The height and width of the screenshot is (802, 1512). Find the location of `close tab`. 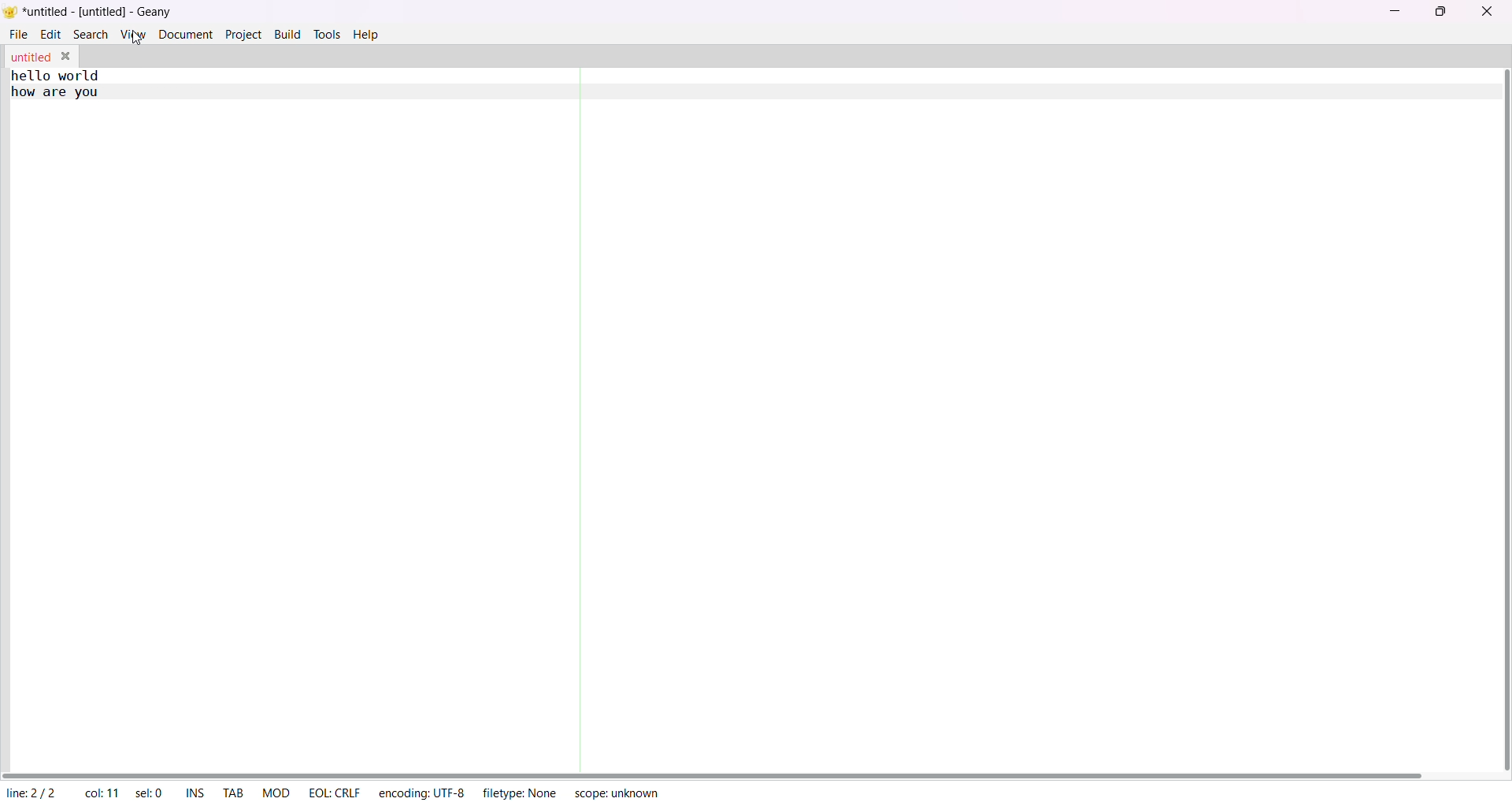

close tab is located at coordinates (67, 56).